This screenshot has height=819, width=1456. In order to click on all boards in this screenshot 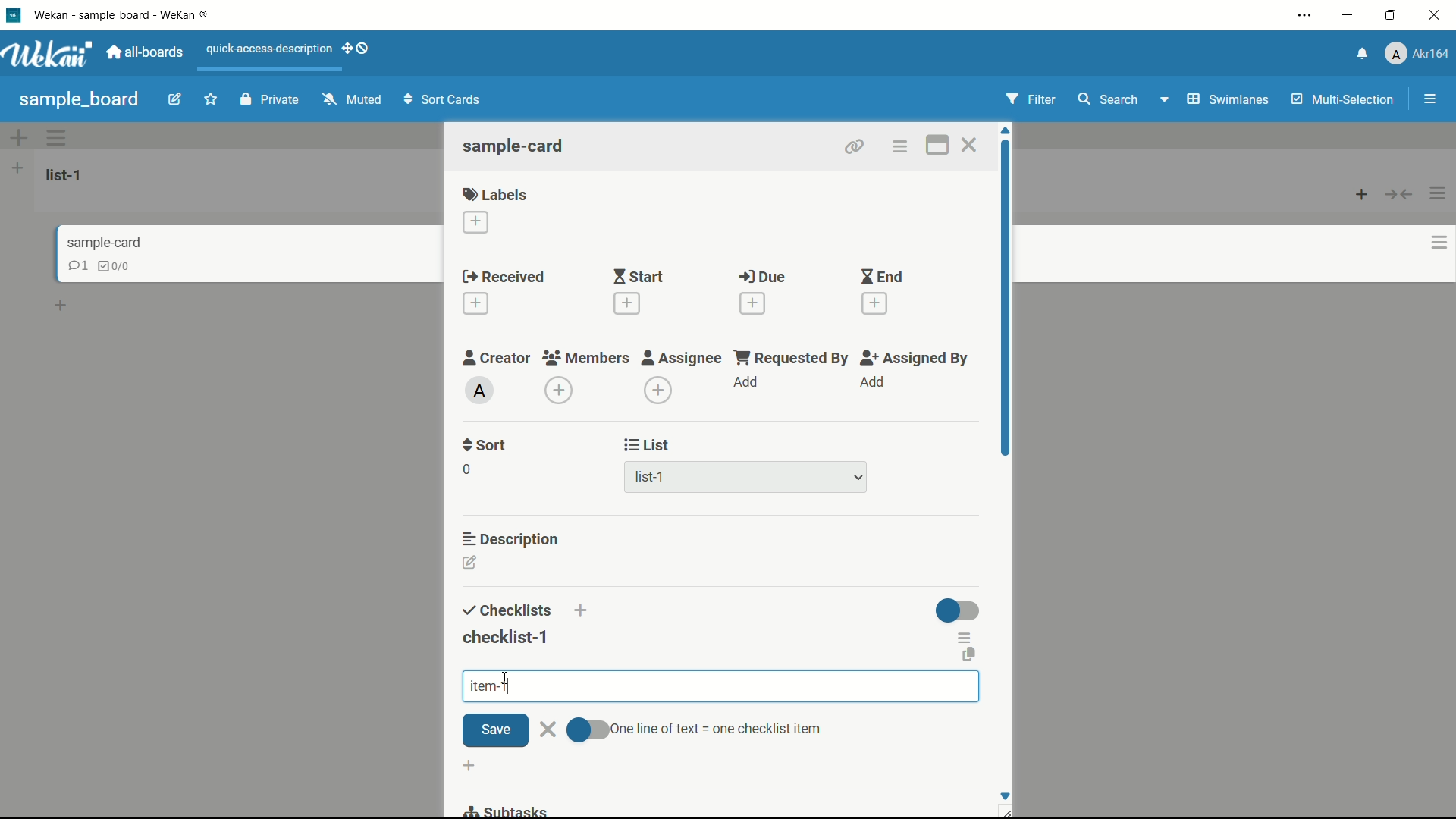, I will do `click(147, 52)`.